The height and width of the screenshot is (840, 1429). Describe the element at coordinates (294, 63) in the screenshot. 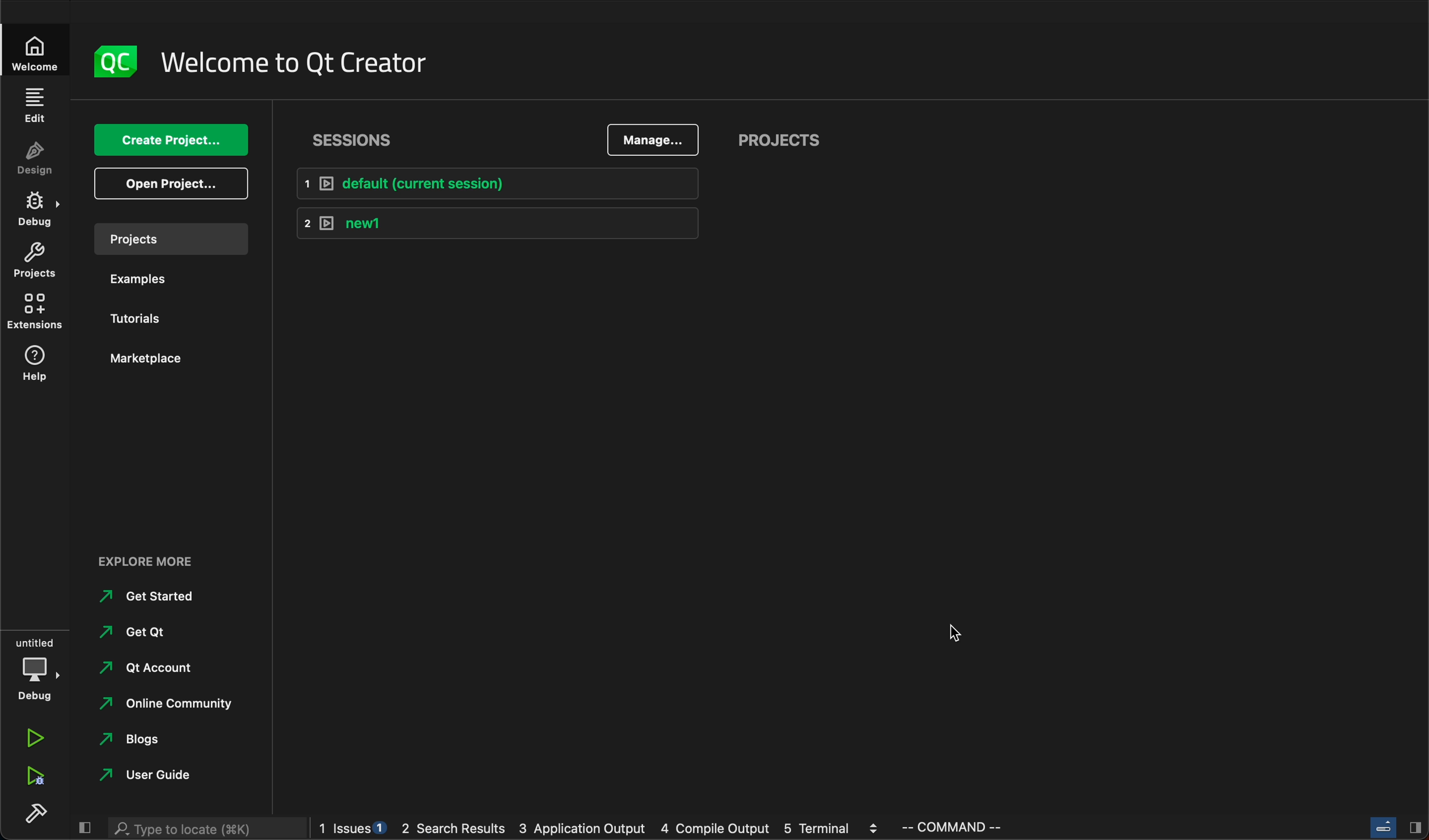

I see `welcome` at that location.